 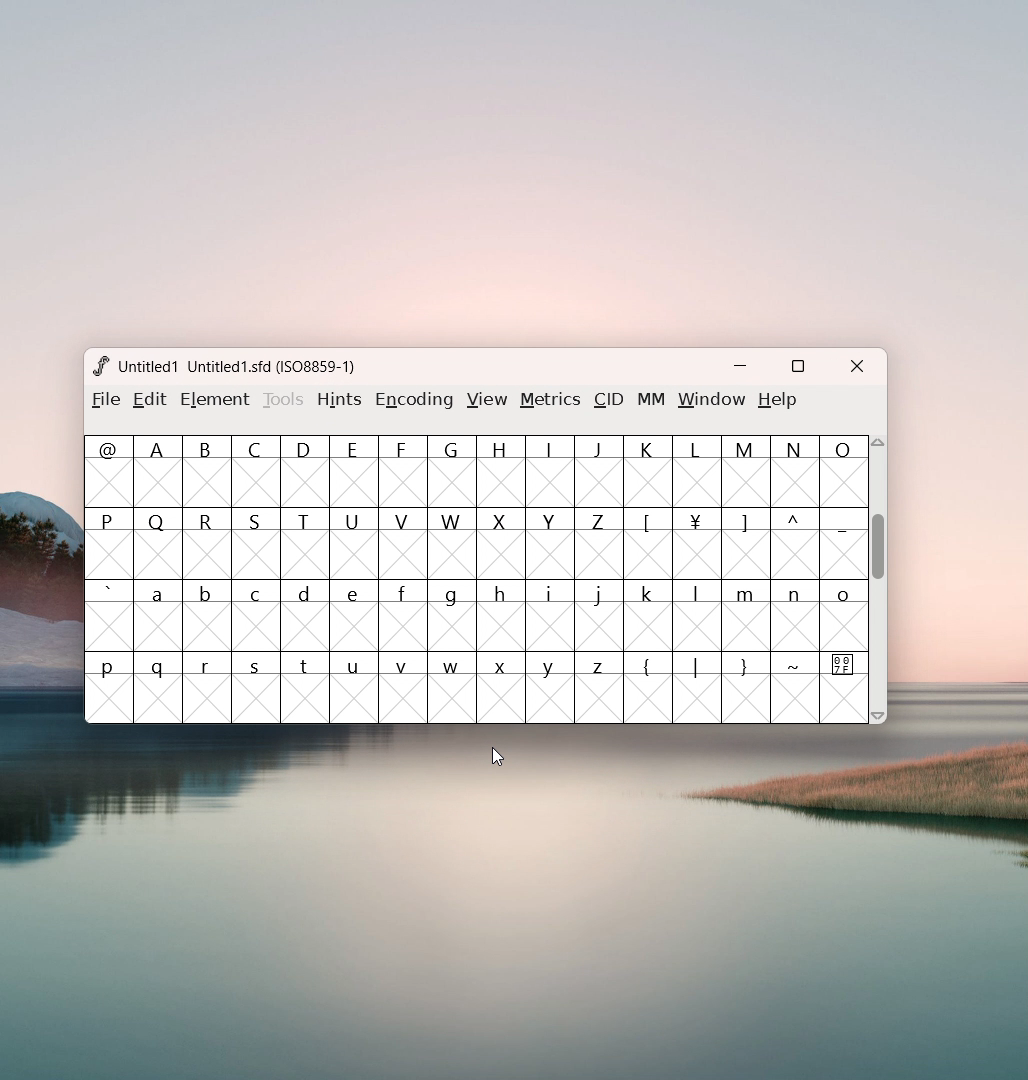 I want to click on z, so click(x=600, y=688).